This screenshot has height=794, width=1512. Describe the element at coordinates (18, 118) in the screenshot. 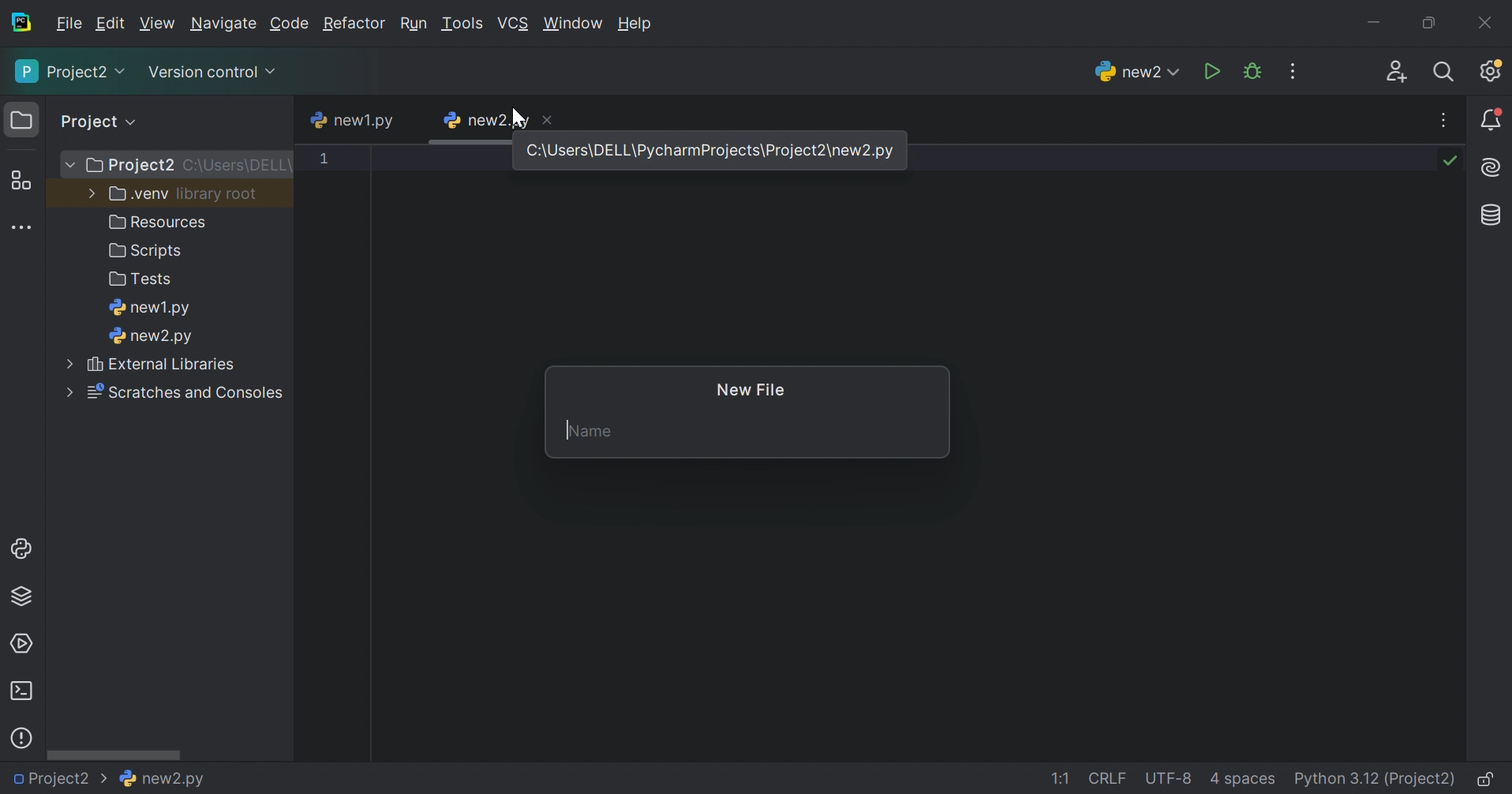

I see `Folder icon` at that location.